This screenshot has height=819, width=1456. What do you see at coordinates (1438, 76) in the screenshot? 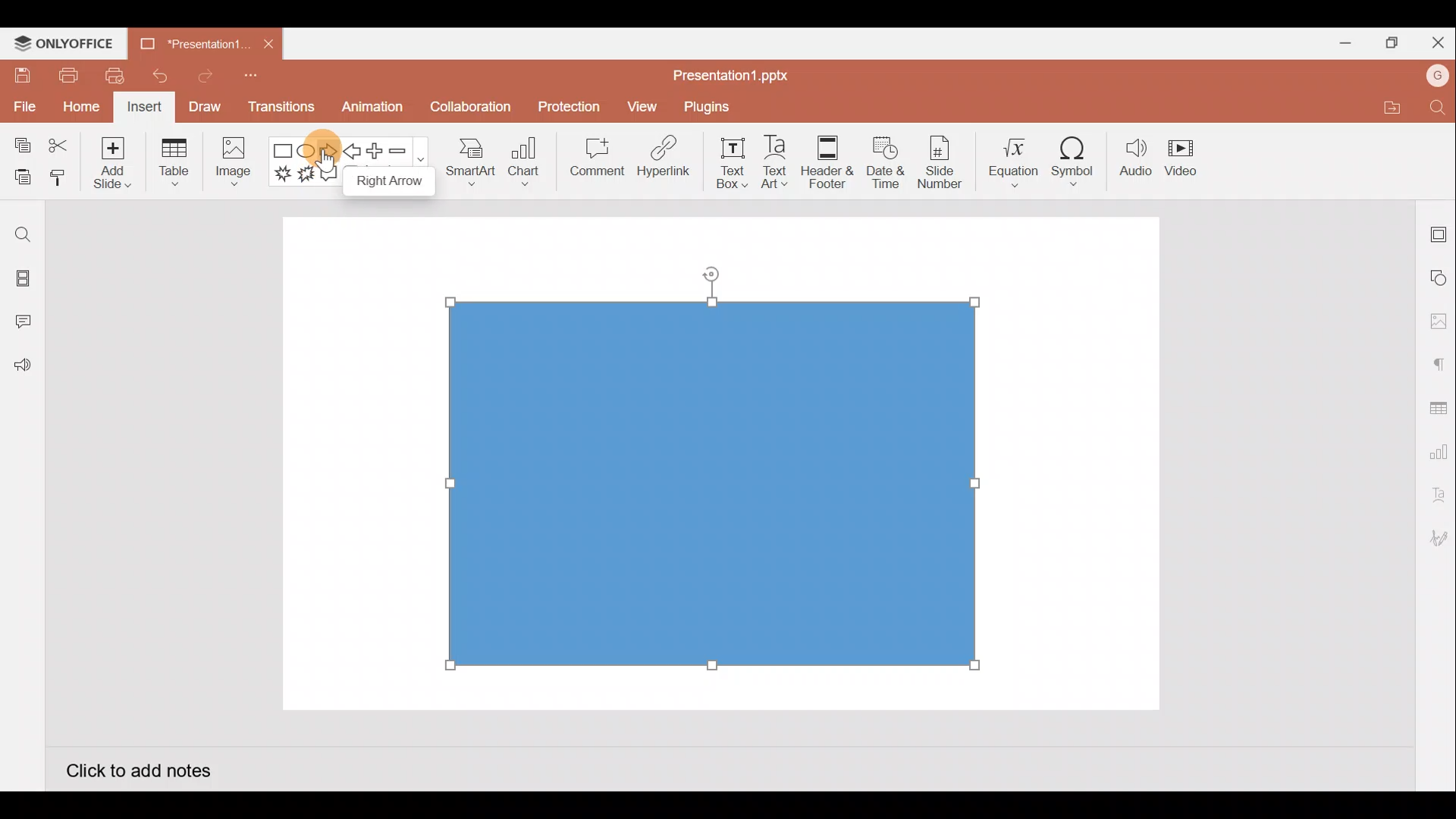
I see `Account name` at bounding box center [1438, 76].